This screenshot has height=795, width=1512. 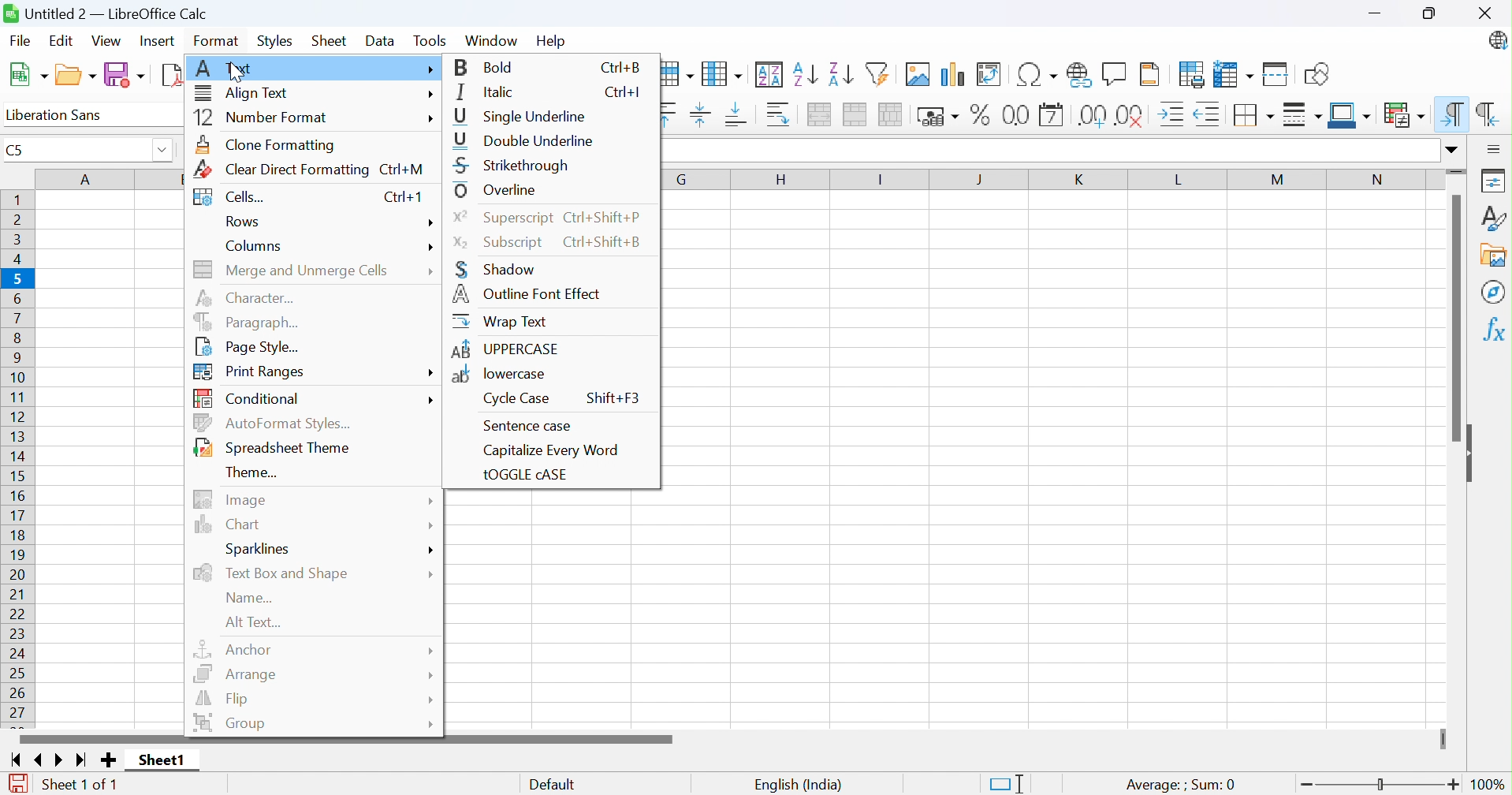 I want to click on LibreOffice update available, so click(x=1499, y=42).